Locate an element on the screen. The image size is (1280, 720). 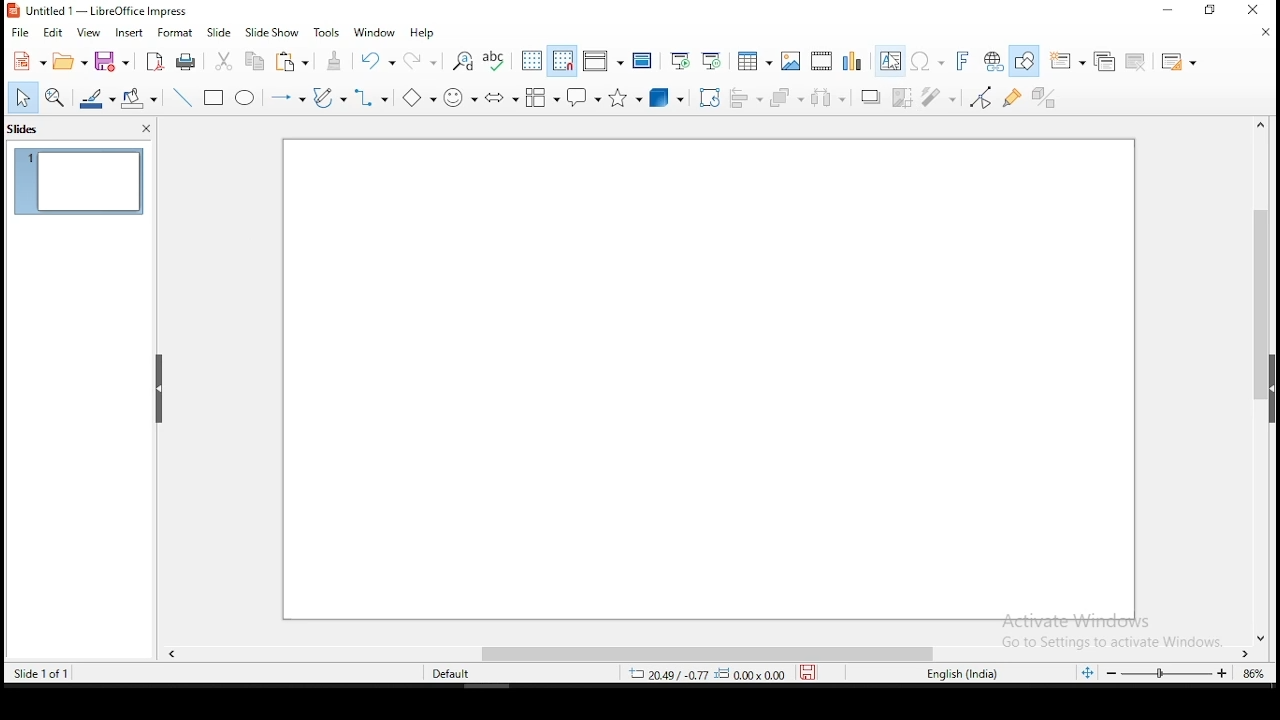
insert fontwork text is located at coordinates (962, 61).